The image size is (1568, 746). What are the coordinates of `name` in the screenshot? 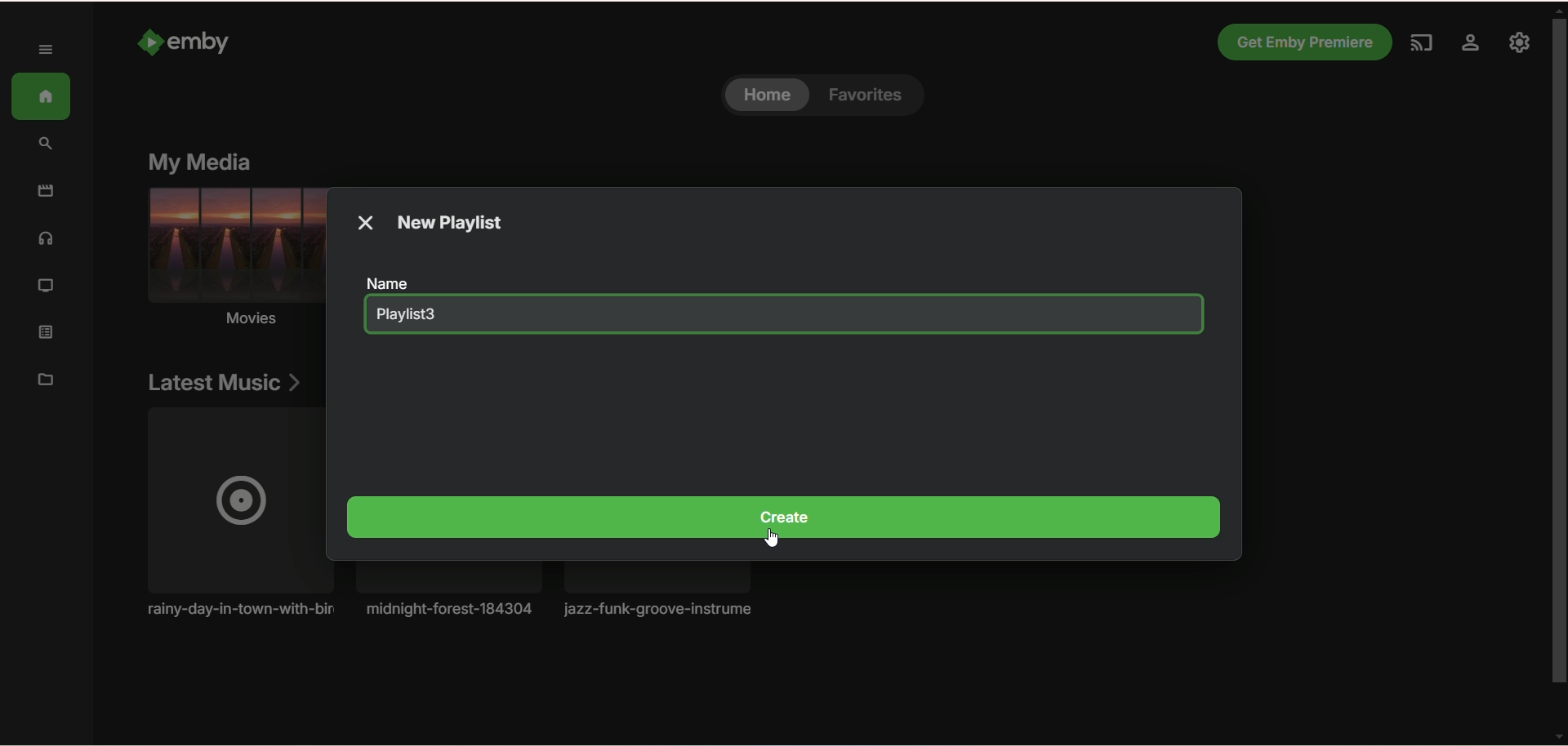 It's located at (393, 283).